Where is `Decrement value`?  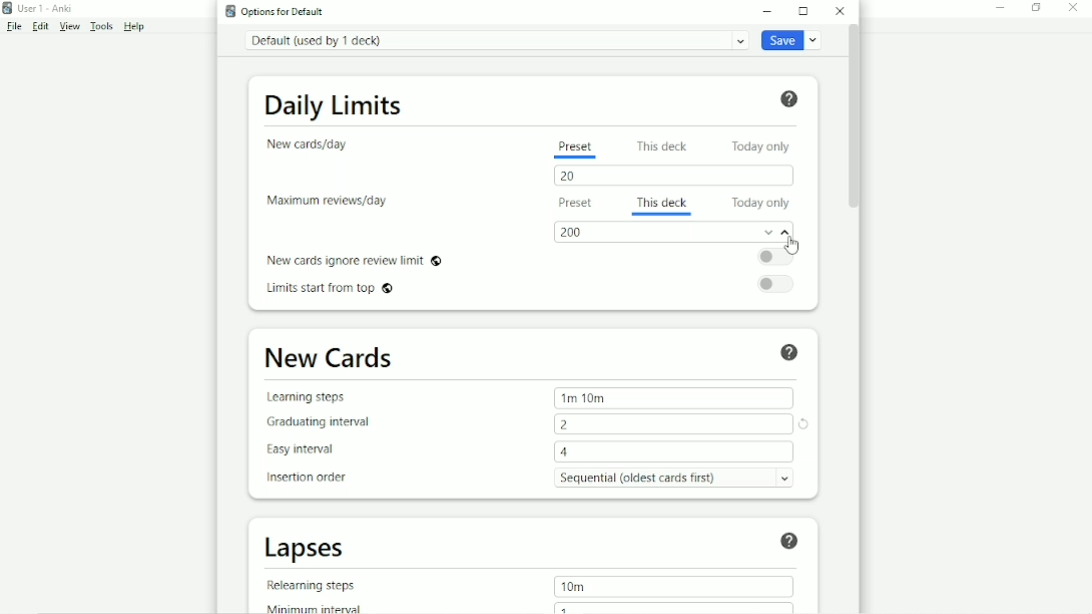 Decrement value is located at coordinates (767, 232).